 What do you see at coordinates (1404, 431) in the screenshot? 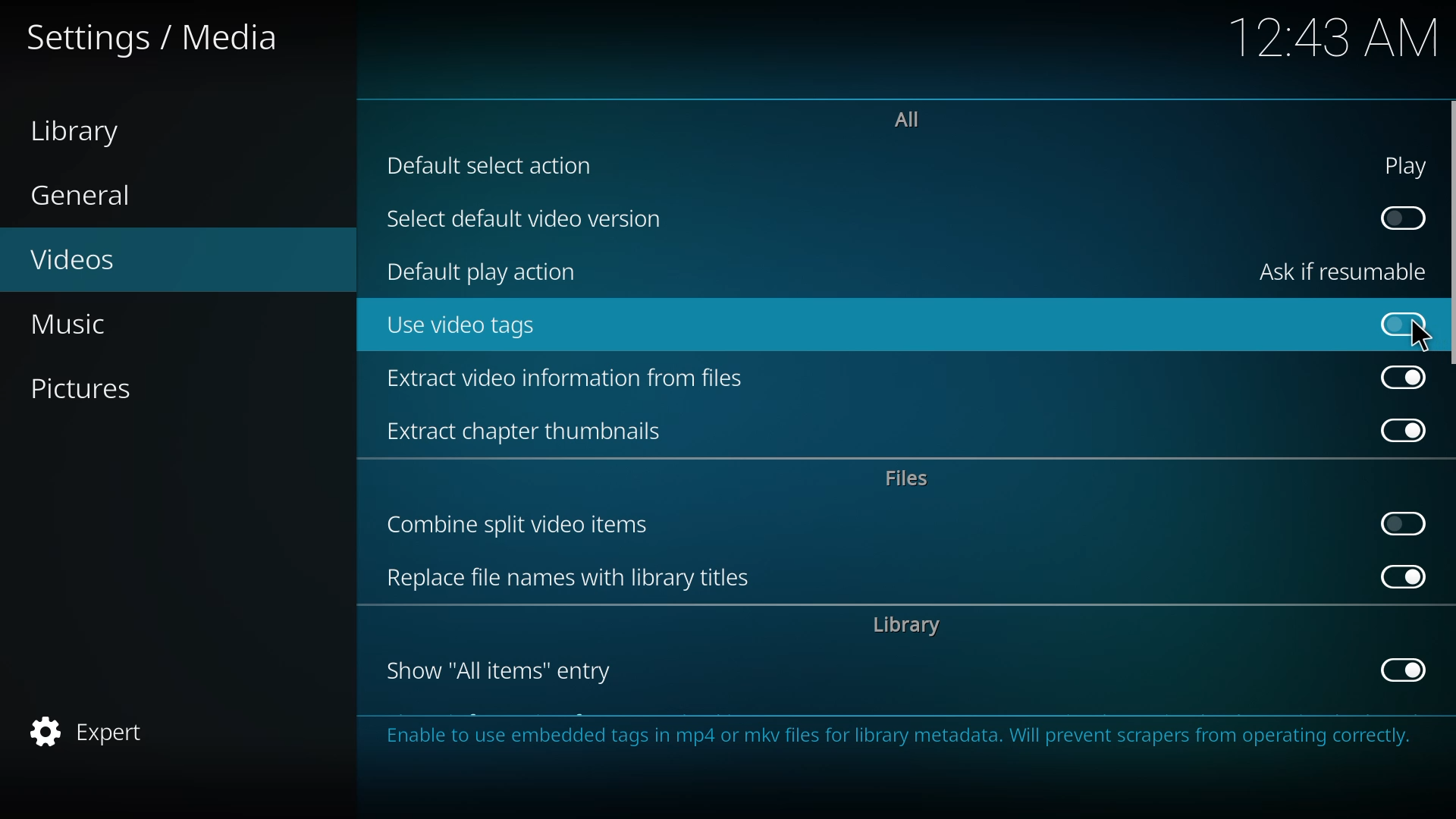
I see `enabled` at bounding box center [1404, 431].